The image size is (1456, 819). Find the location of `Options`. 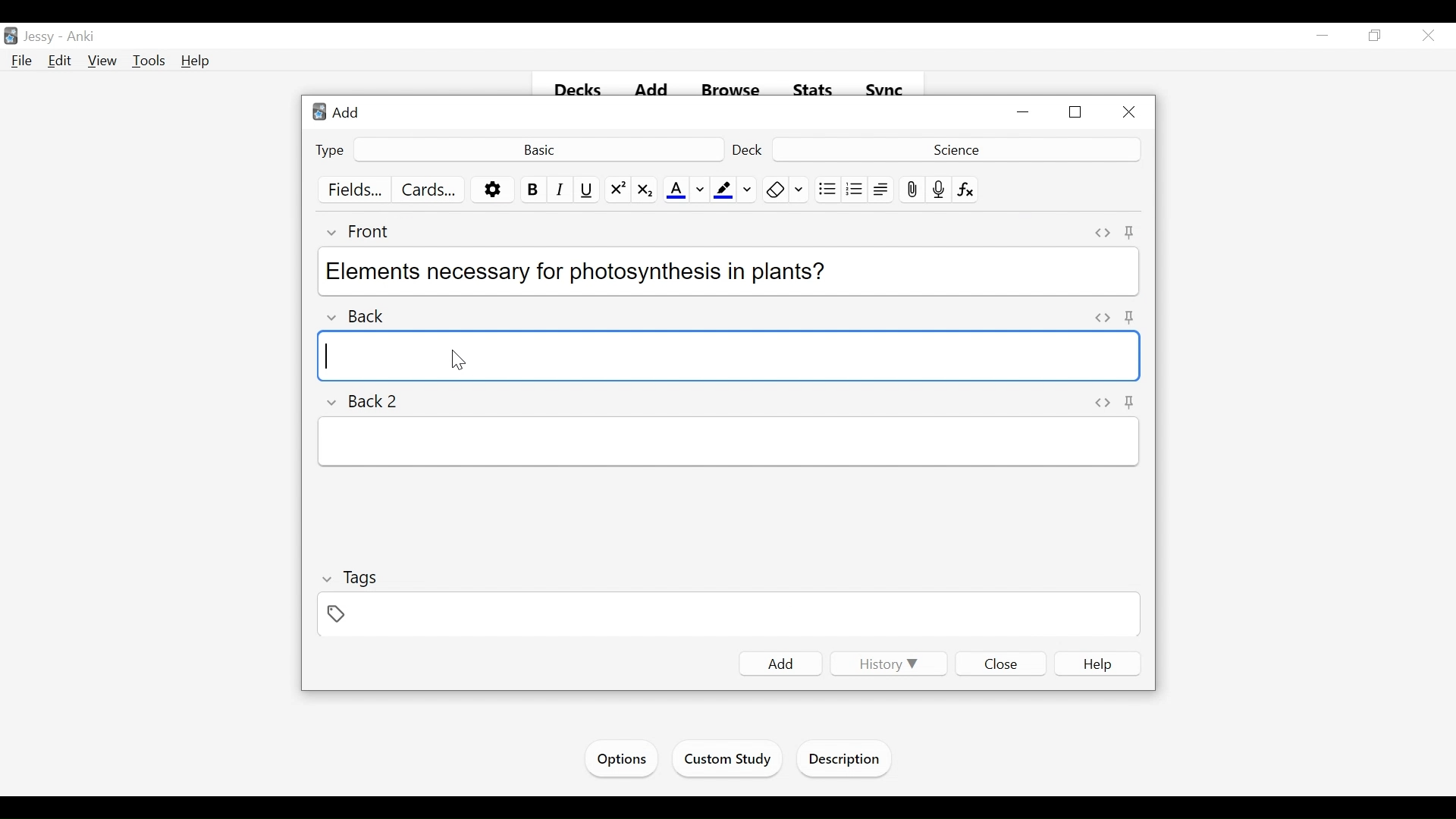

Options is located at coordinates (493, 190).